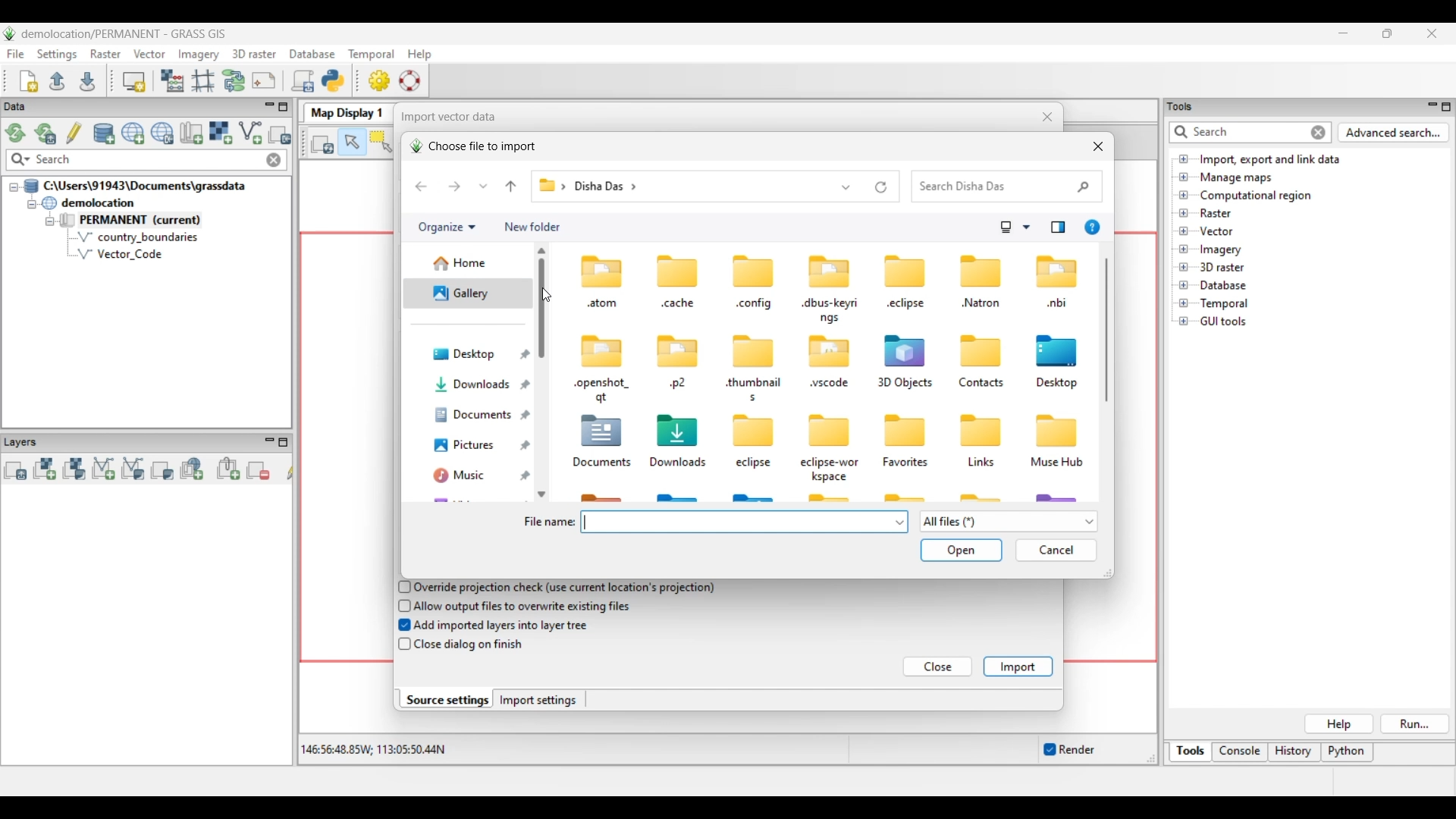 The width and height of the screenshot is (1456, 819). What do you see at coordinates (1240, 753) in the screenshot?
I see `Console` at bounding box center [1240, 753].